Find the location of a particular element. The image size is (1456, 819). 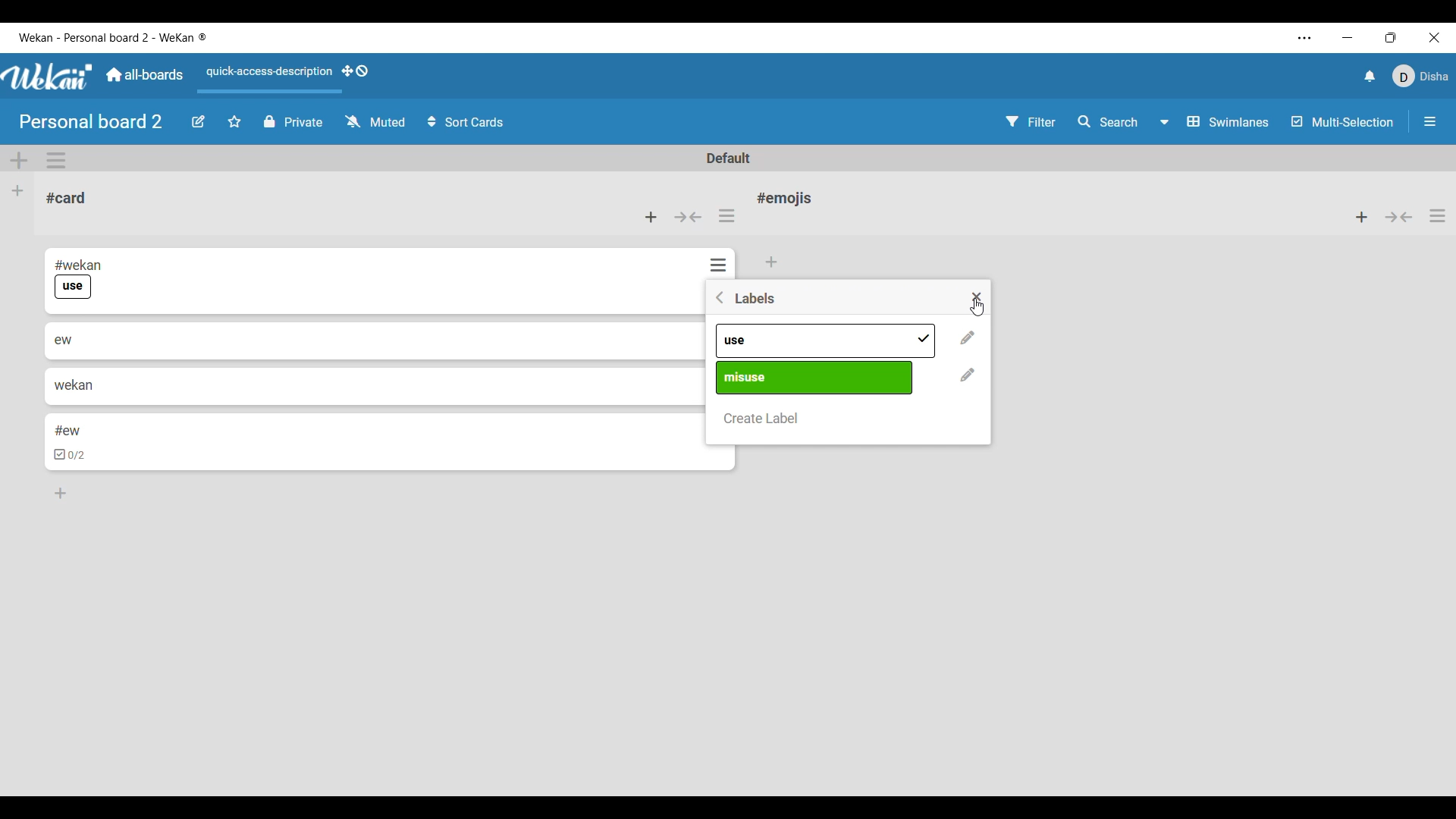

Open/Close sidebar is located at coordinates (1430, 121).